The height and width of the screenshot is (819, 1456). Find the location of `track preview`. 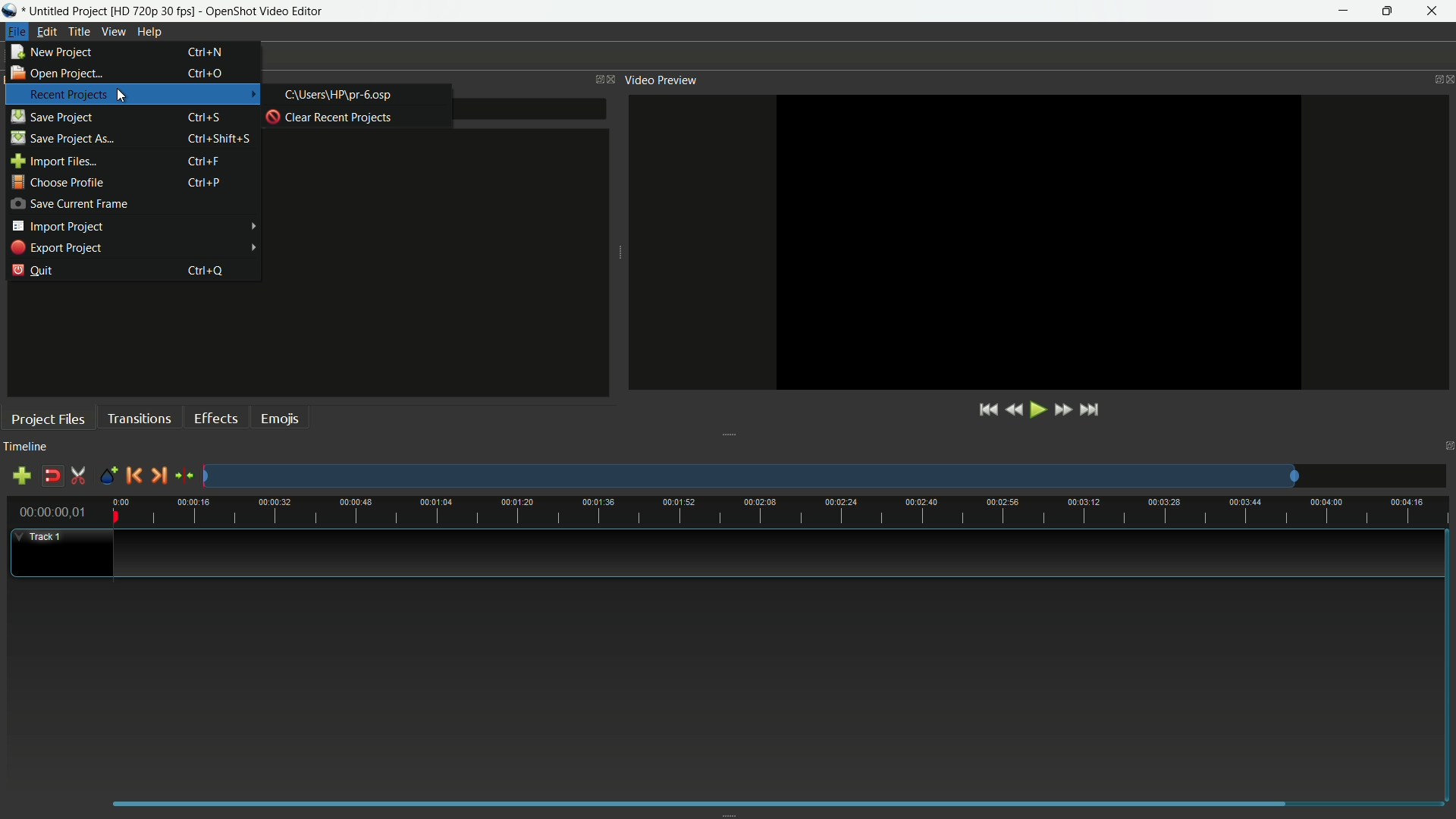

track preview is located at coordinates (748, 477).